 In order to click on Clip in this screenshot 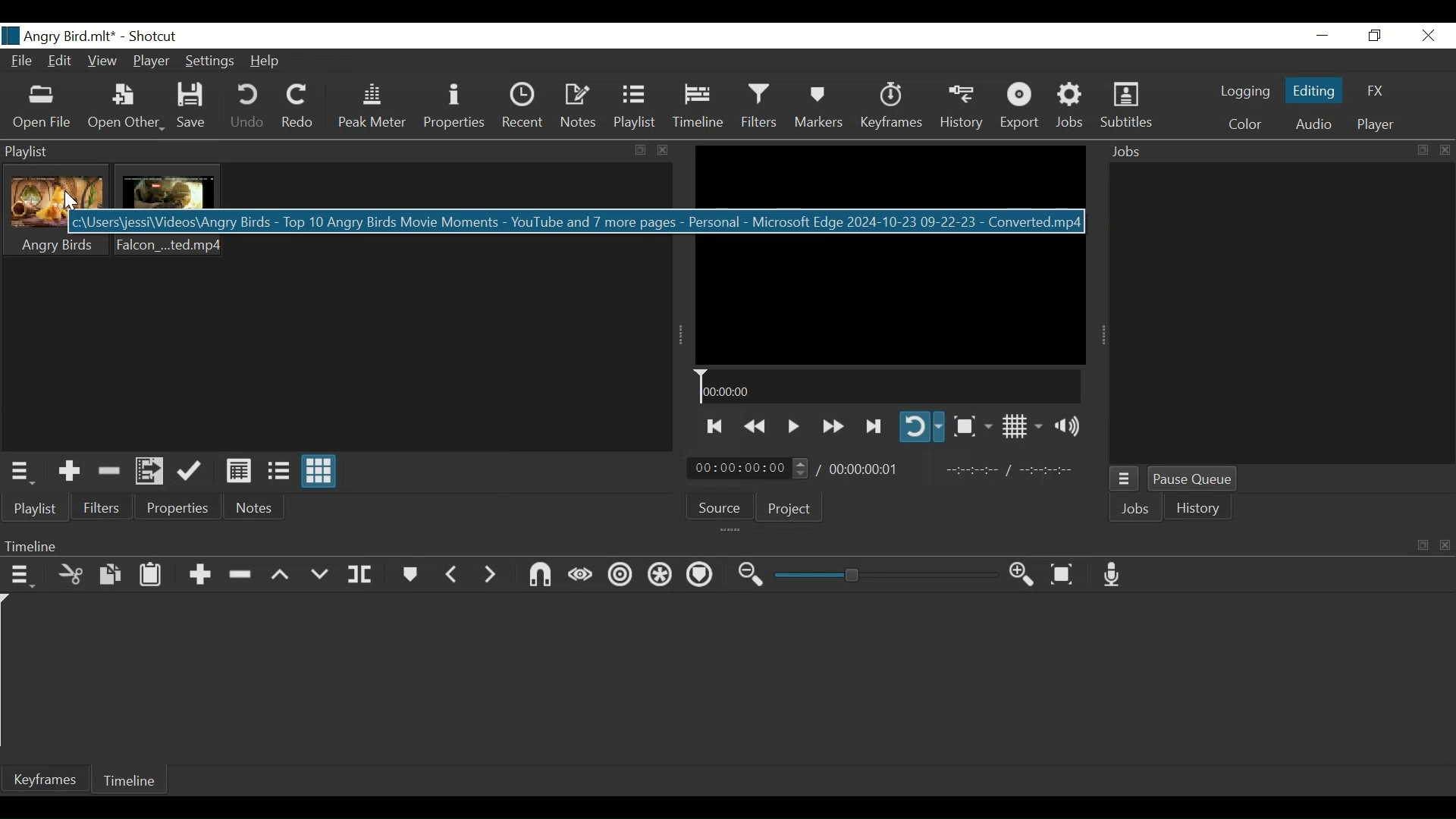, I will do `click(171, 212)`.